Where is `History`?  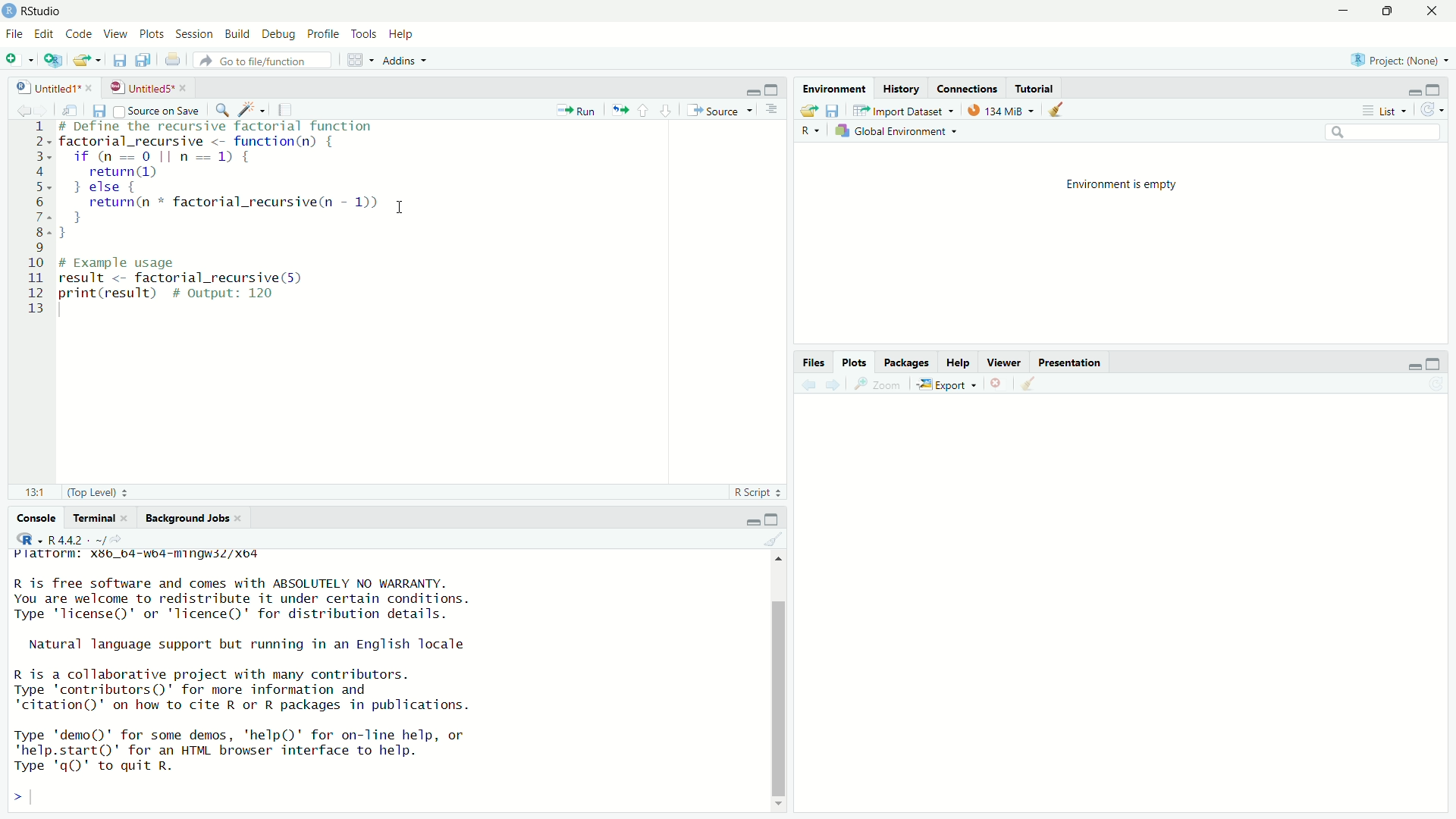 History is located at coordinates (899, 86).